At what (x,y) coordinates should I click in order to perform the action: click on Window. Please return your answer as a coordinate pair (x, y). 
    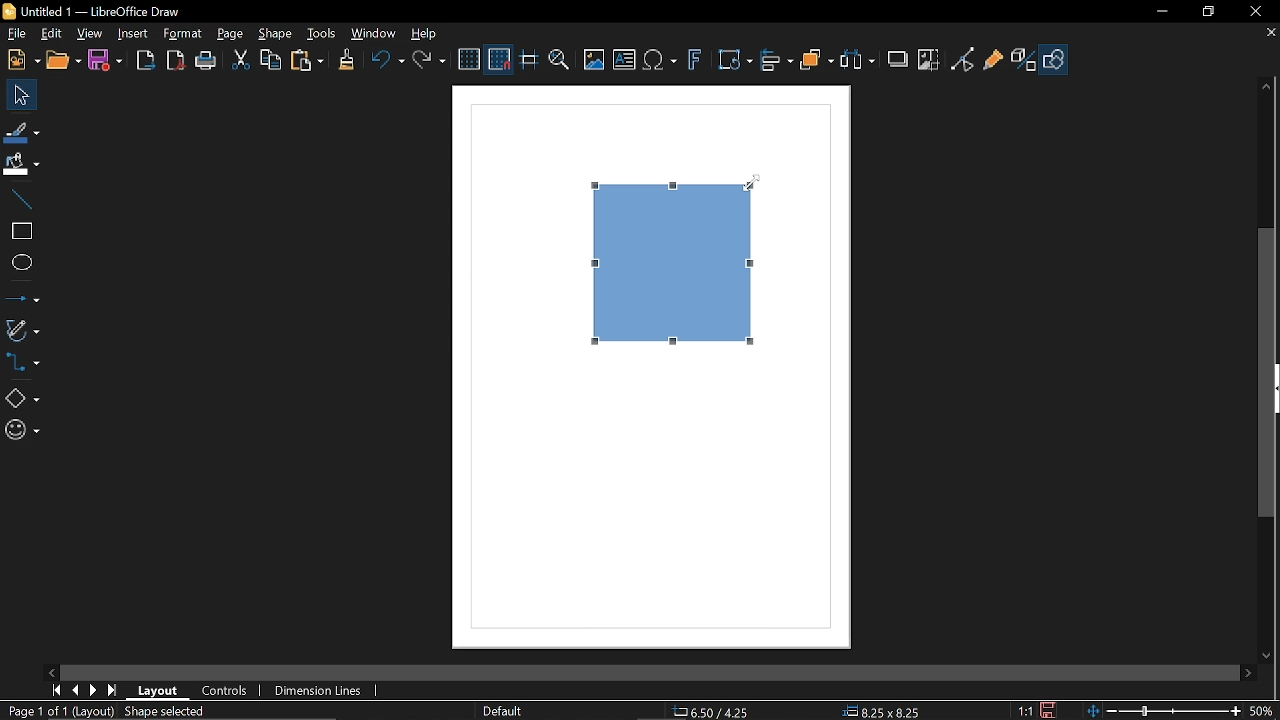
    Looking at the image, I should click on (376, 35).